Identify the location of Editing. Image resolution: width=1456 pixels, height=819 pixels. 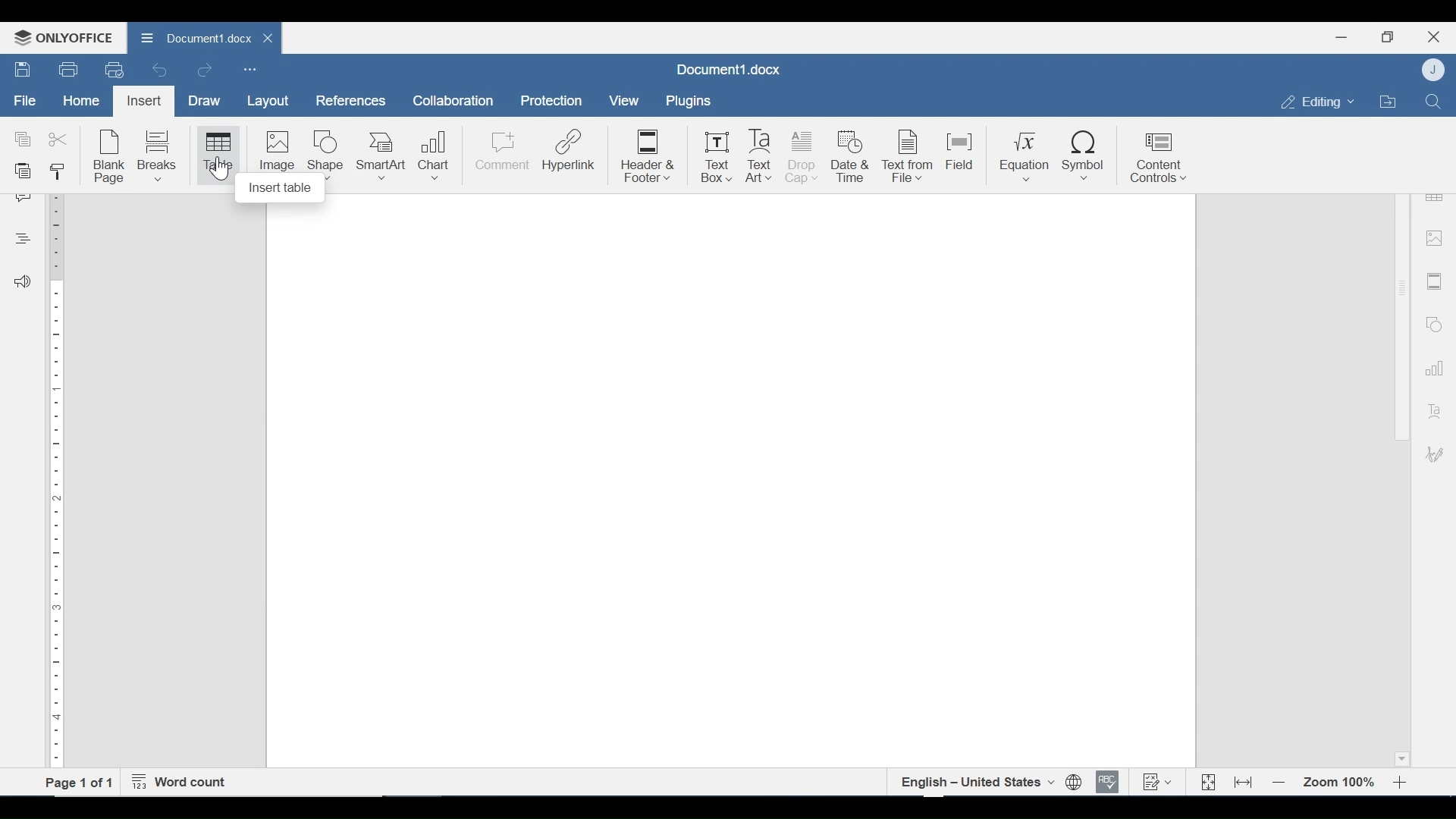
(1313, 102).